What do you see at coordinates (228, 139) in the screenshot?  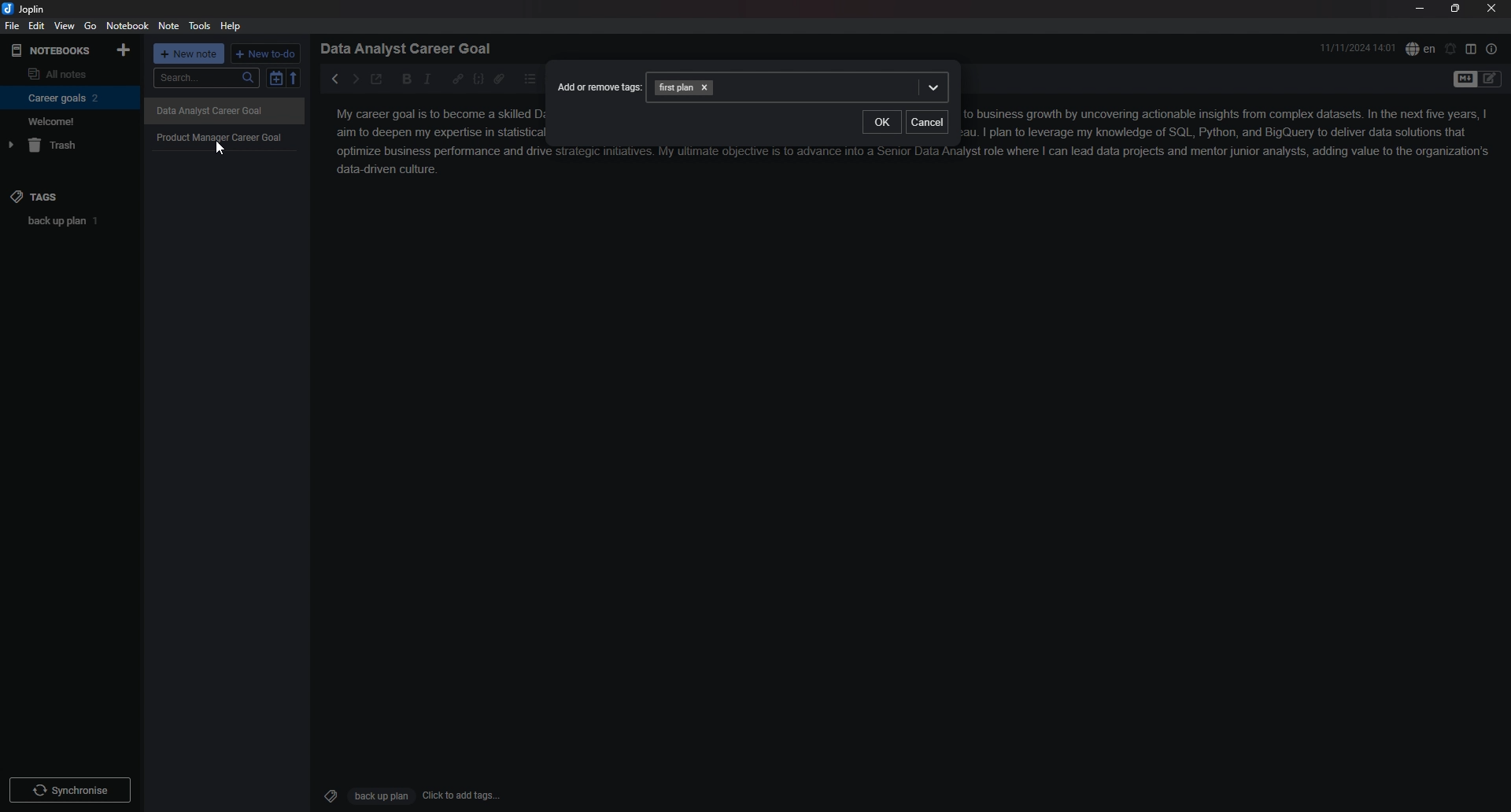 I see `Product Manager Career Goal` at bounding box center [228, 139].